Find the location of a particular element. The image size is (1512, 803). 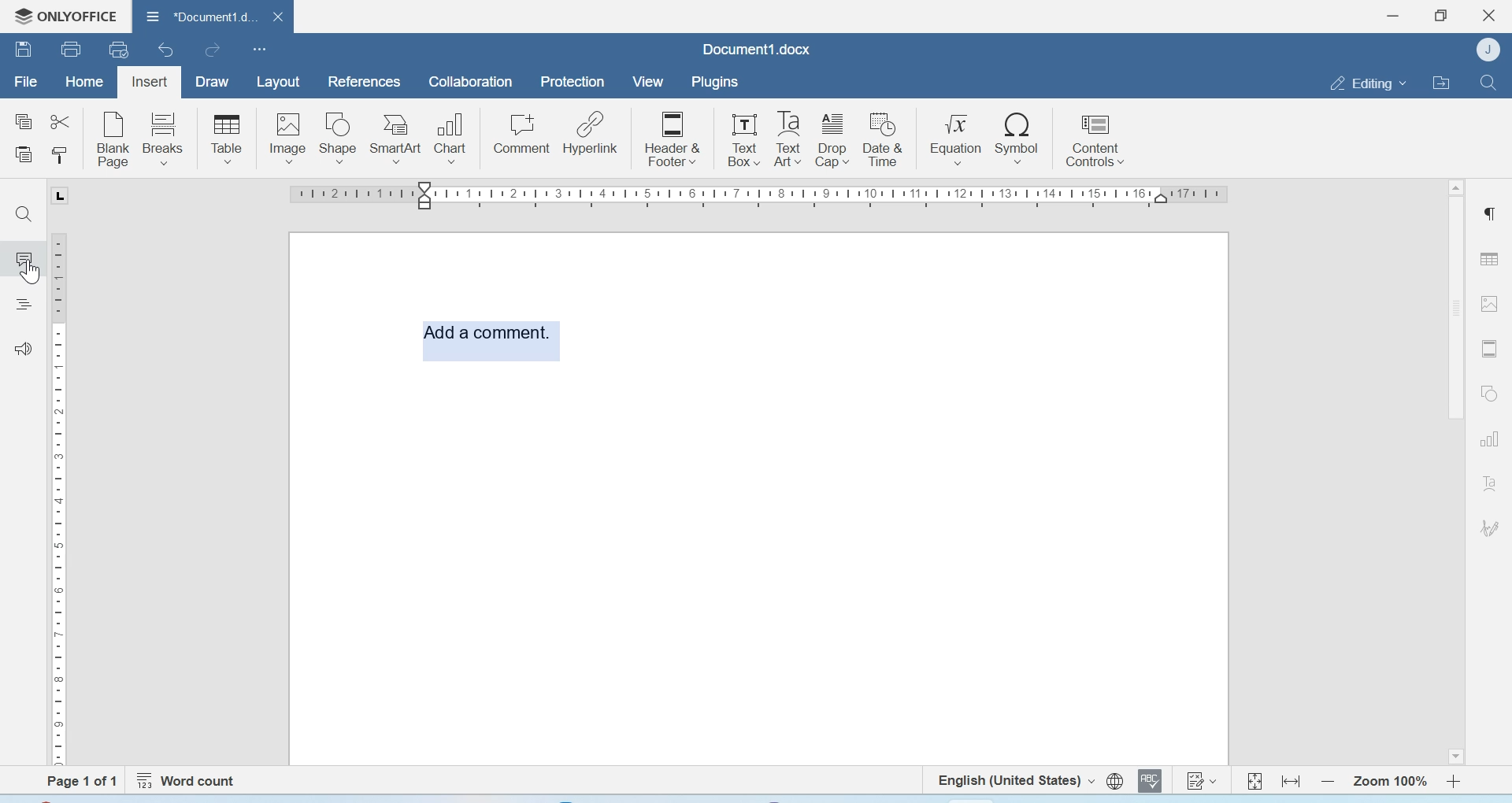

Scrollbar is located at coordinates (1455, 470).